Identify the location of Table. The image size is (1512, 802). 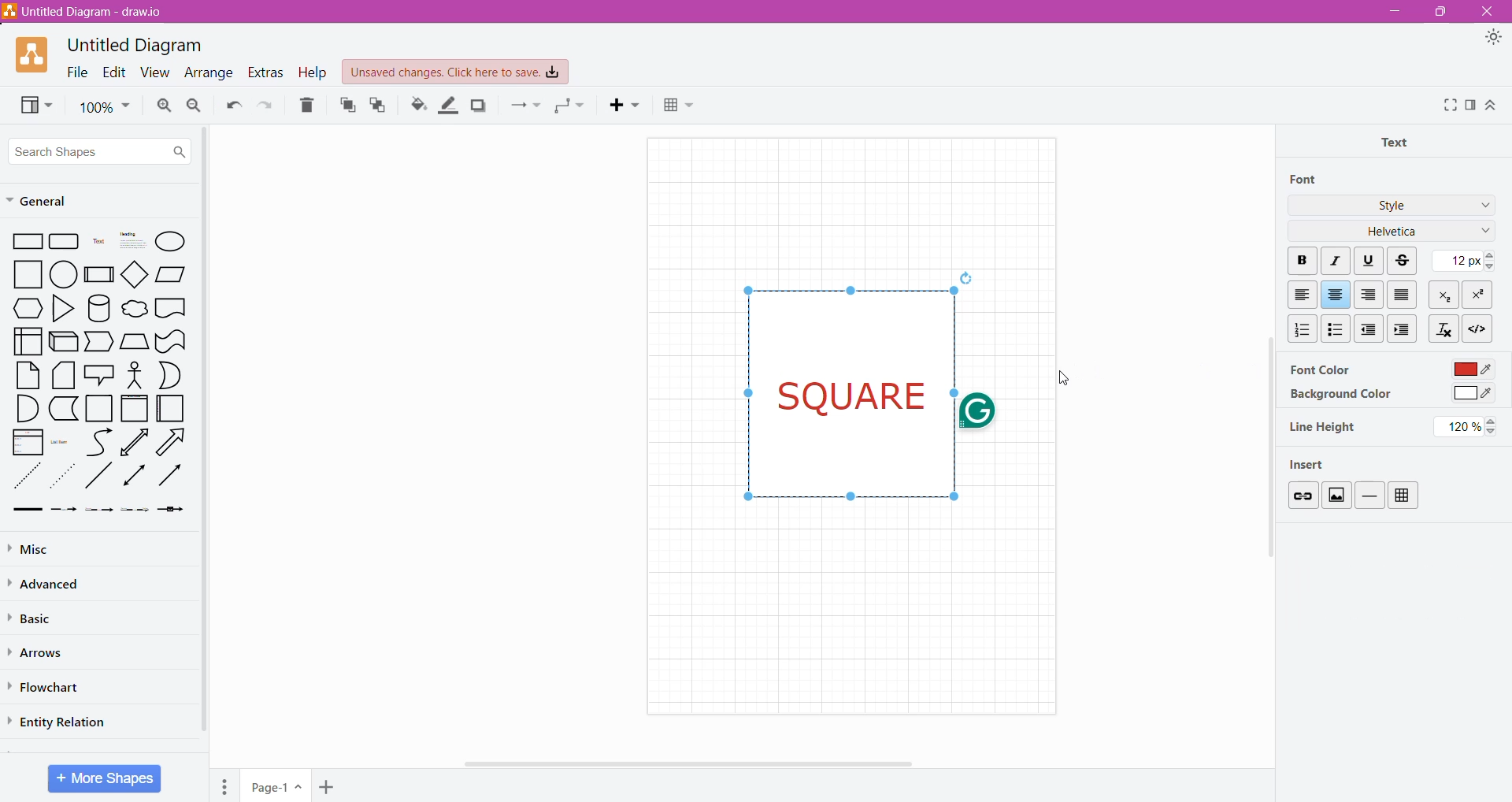
(676, 106).